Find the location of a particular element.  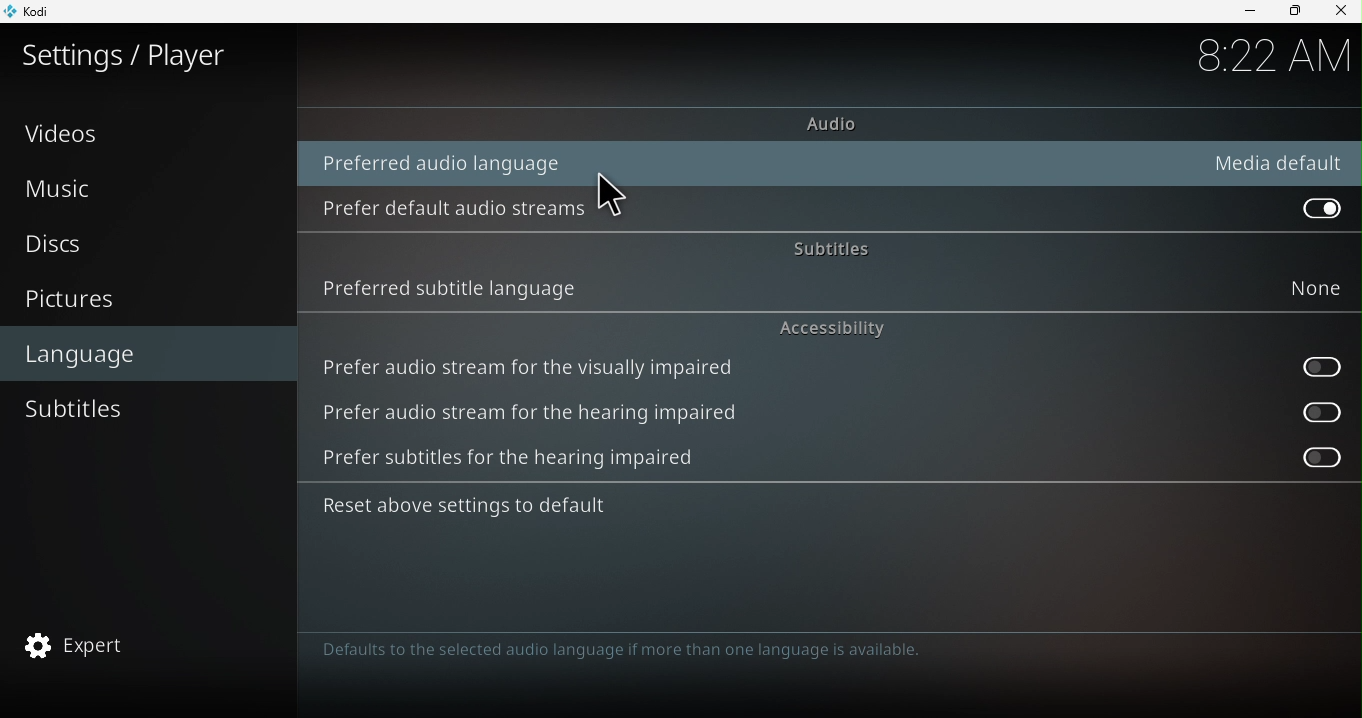

Subtitles is located at coordinates (140, 410).